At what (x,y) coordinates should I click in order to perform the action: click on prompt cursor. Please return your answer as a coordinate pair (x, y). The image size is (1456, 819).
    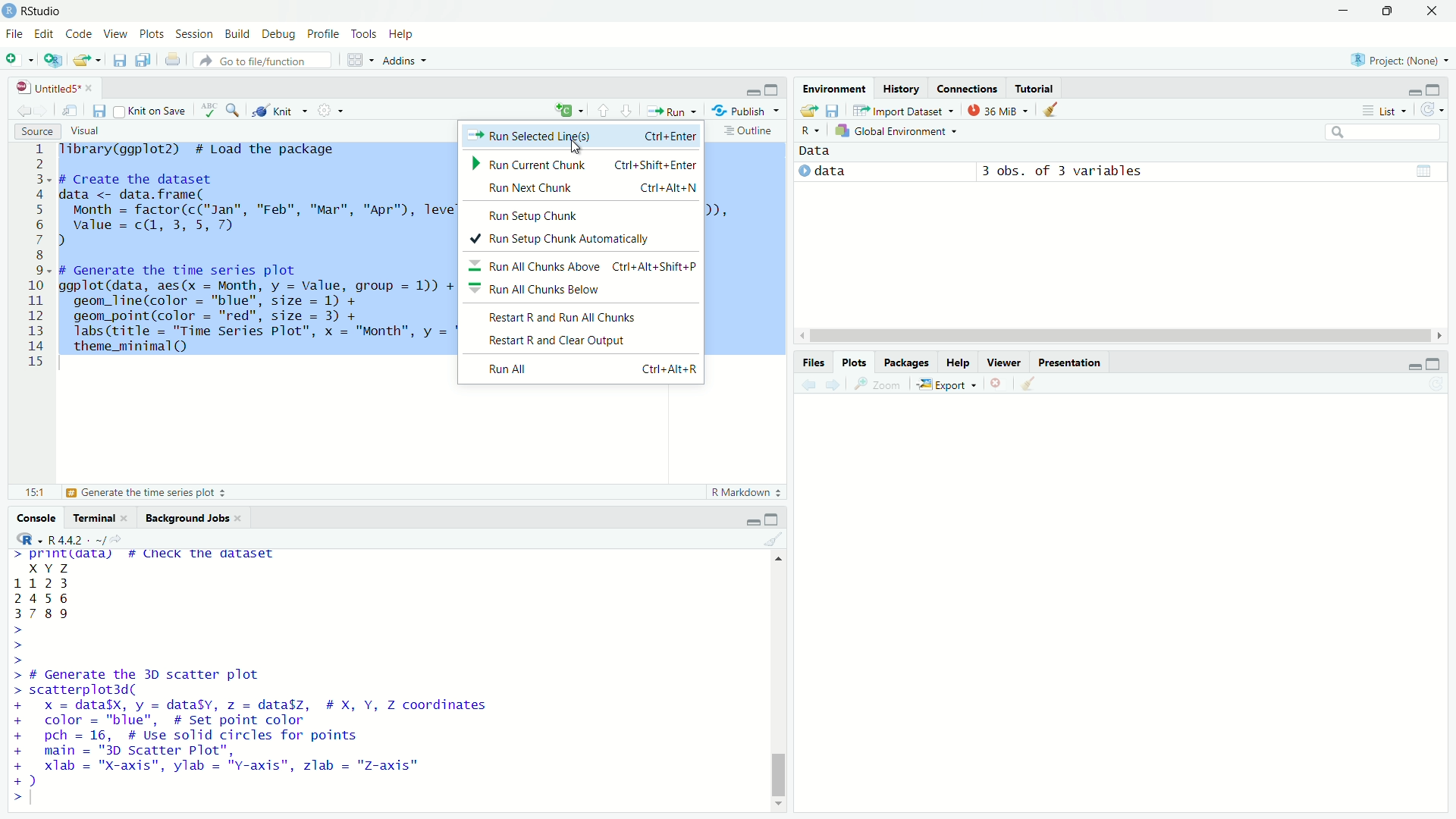
    Looking at the image, I should click on (14, 645).